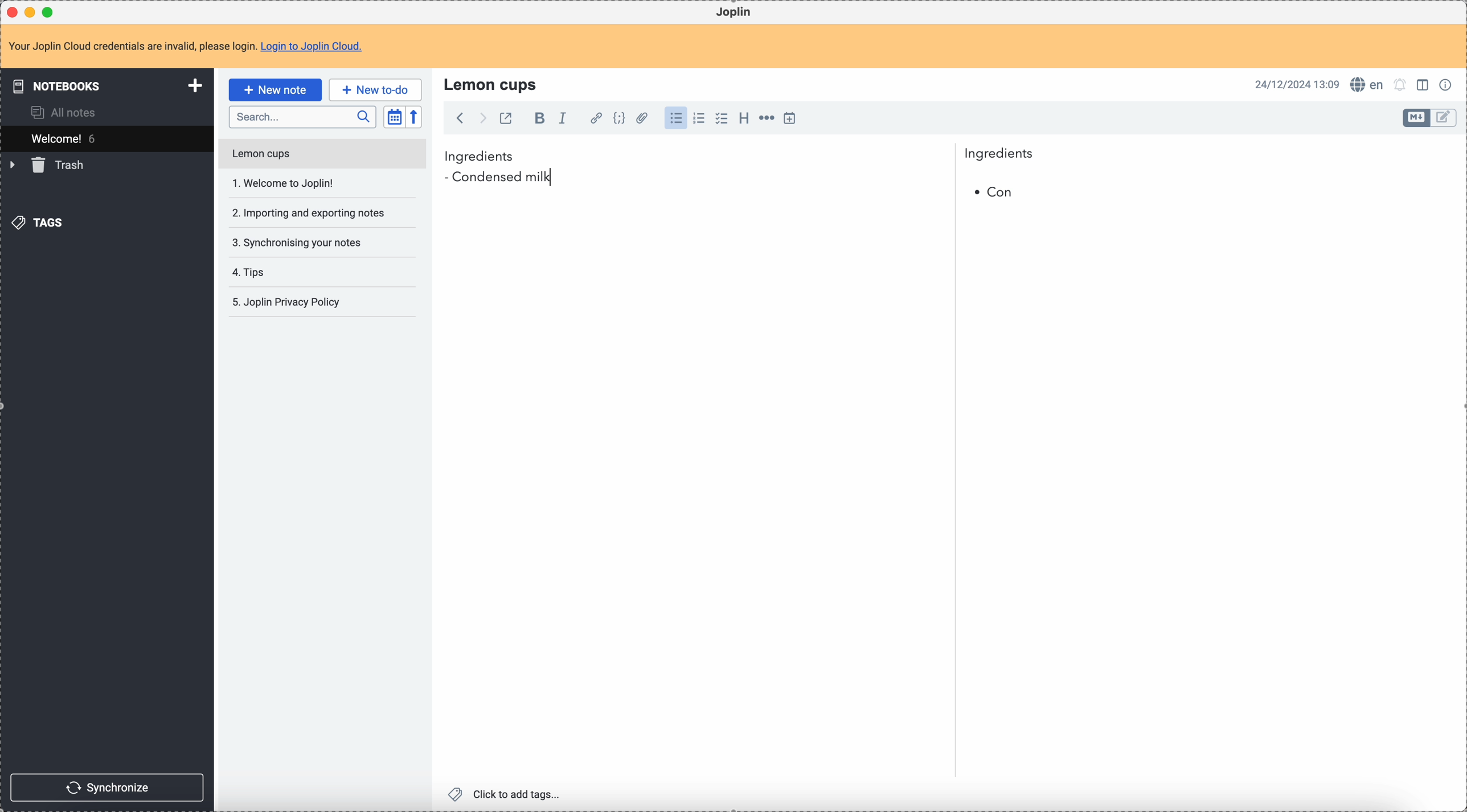  What do you see at coordinates (251, 273) in the screenshot?
I see `tips` at bounding box center [251, 273].